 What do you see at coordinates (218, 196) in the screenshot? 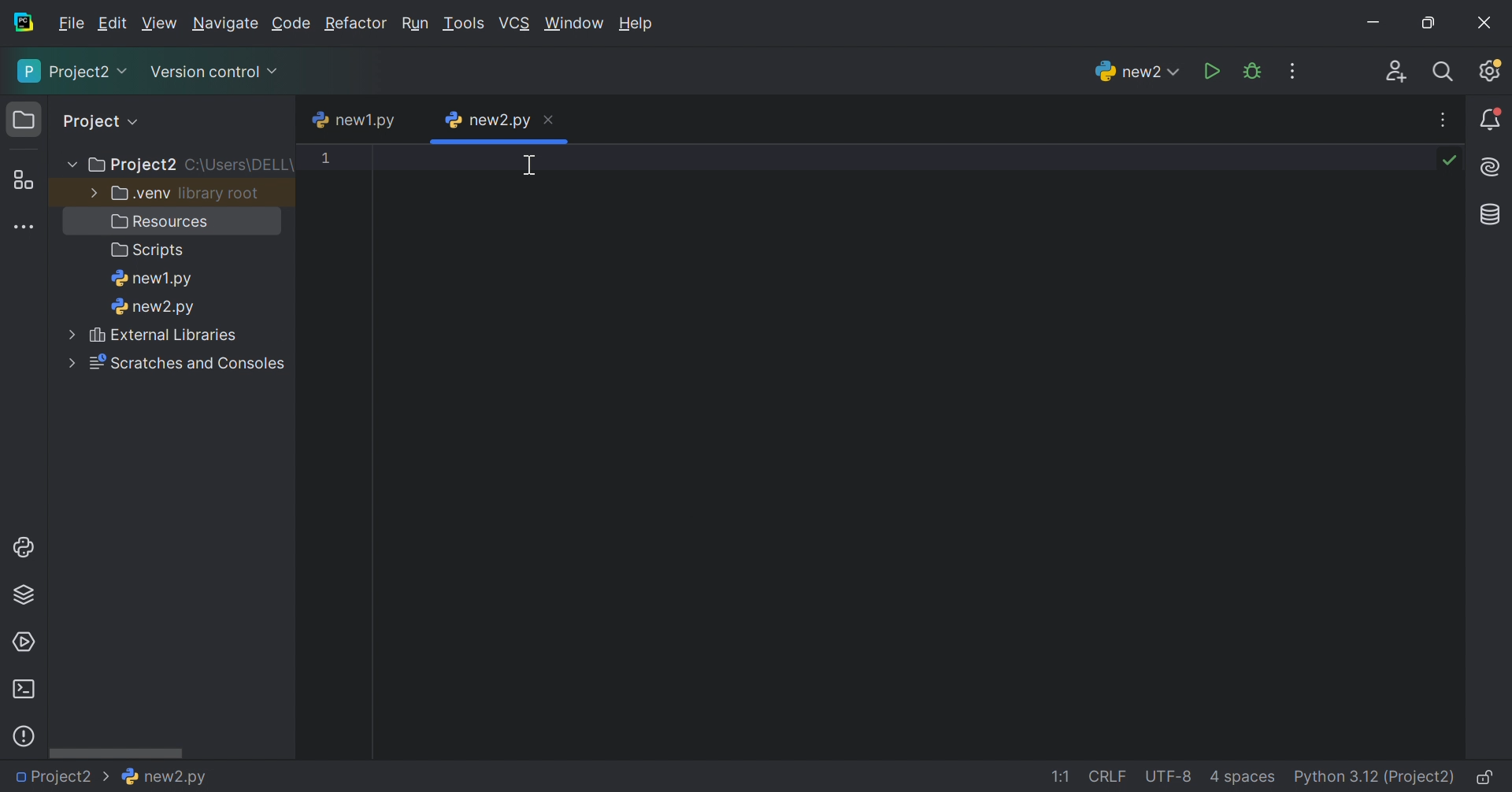
I see `library.root` at bounding box center [218, 196].